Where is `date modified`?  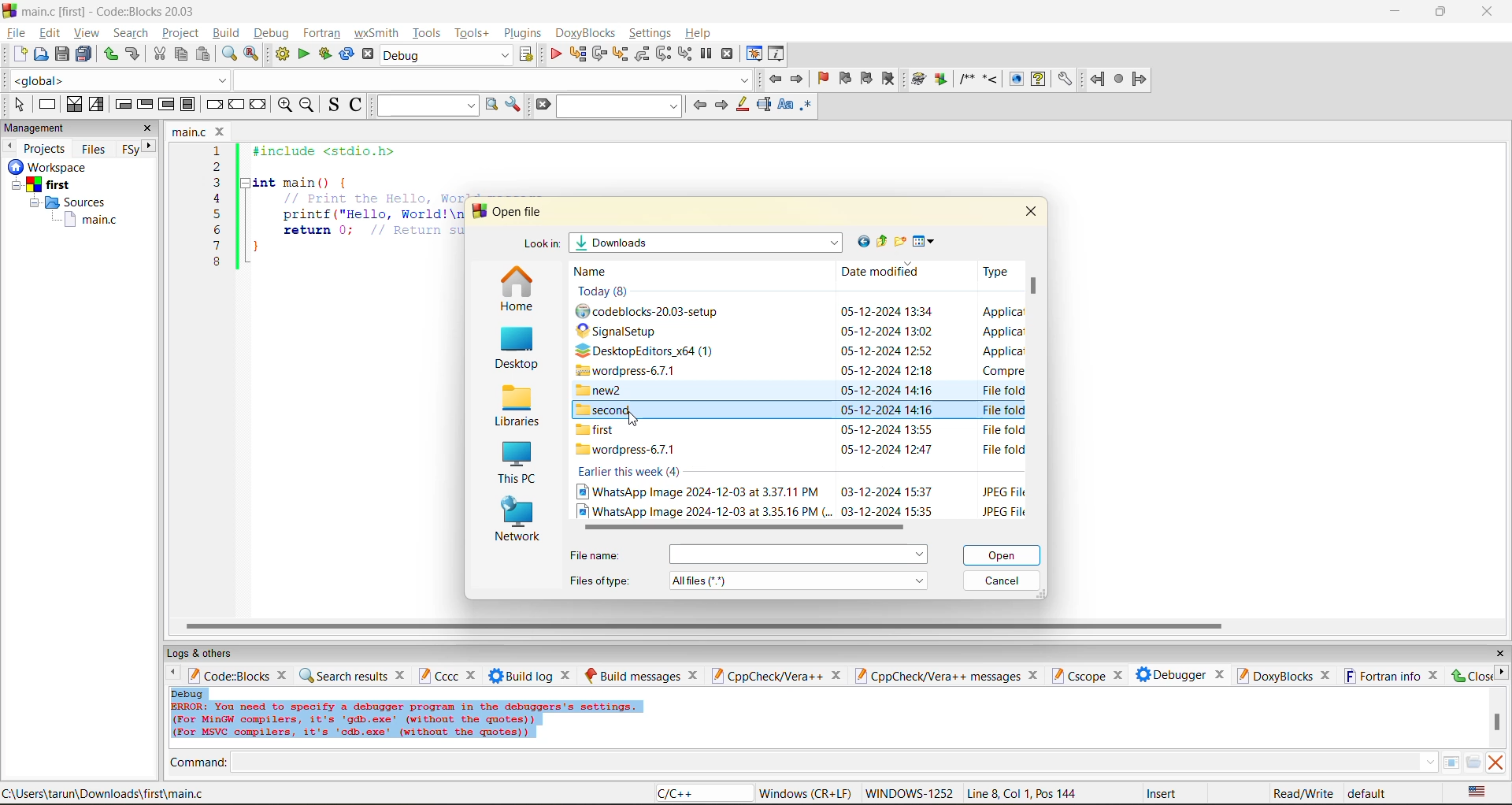
date modified is located at coordinates (880, 273).